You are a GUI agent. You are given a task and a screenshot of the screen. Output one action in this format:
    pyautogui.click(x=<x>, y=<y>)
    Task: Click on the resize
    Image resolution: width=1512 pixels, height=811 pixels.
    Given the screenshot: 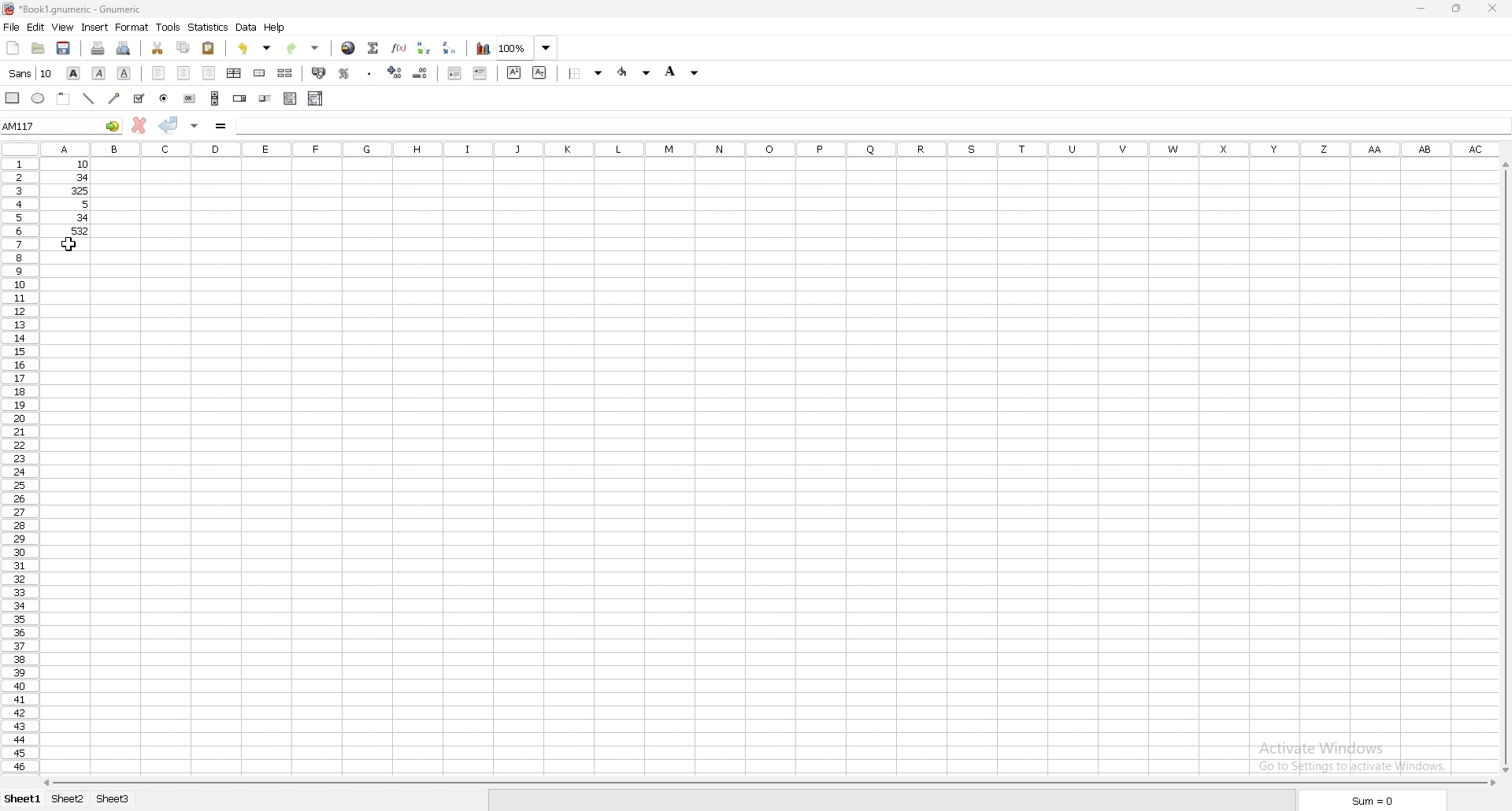 What is the action you would take?
    pyautogui.click(x=1455, y=8)
    